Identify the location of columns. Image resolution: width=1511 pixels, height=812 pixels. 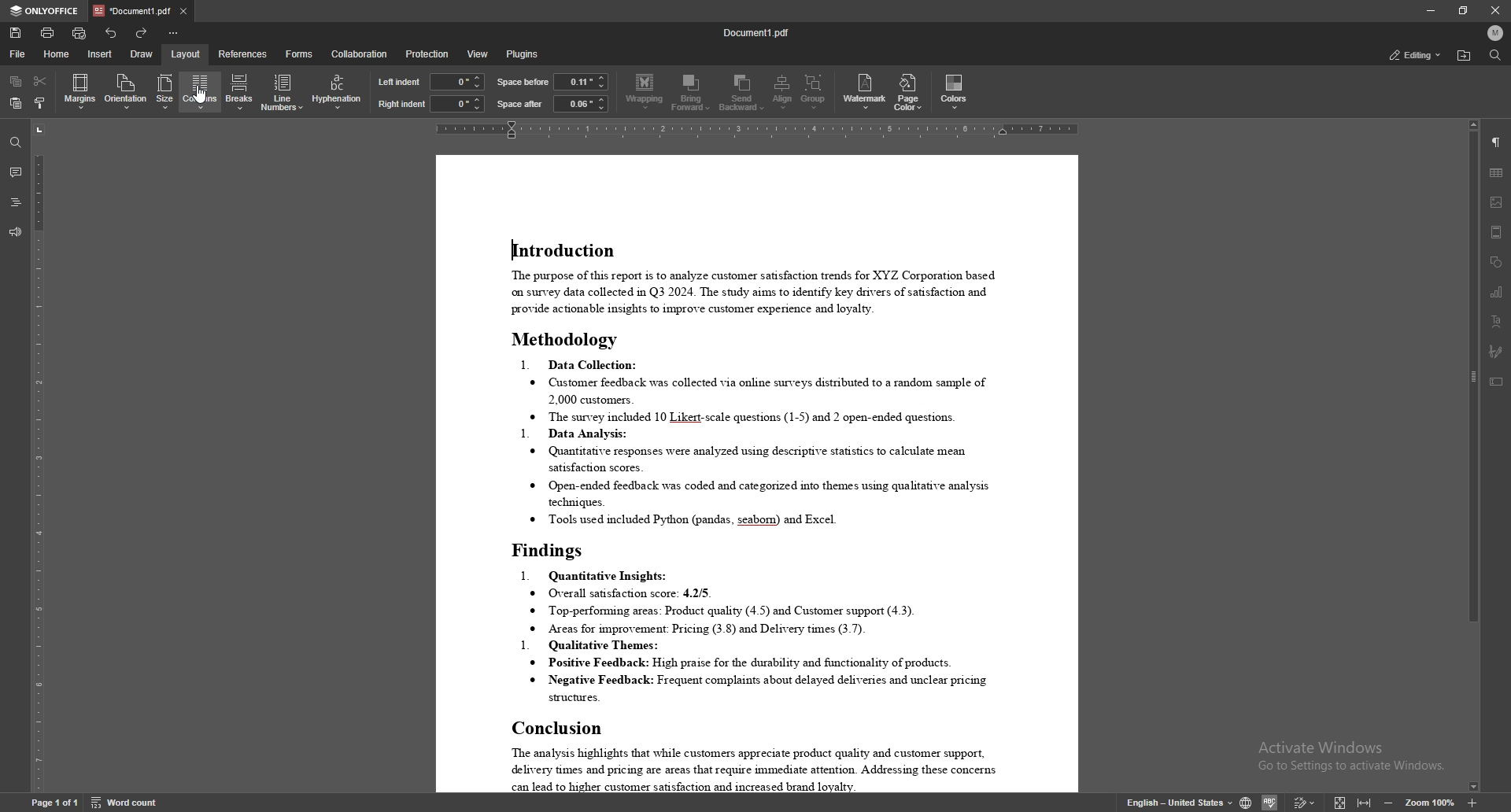
(200, 90).